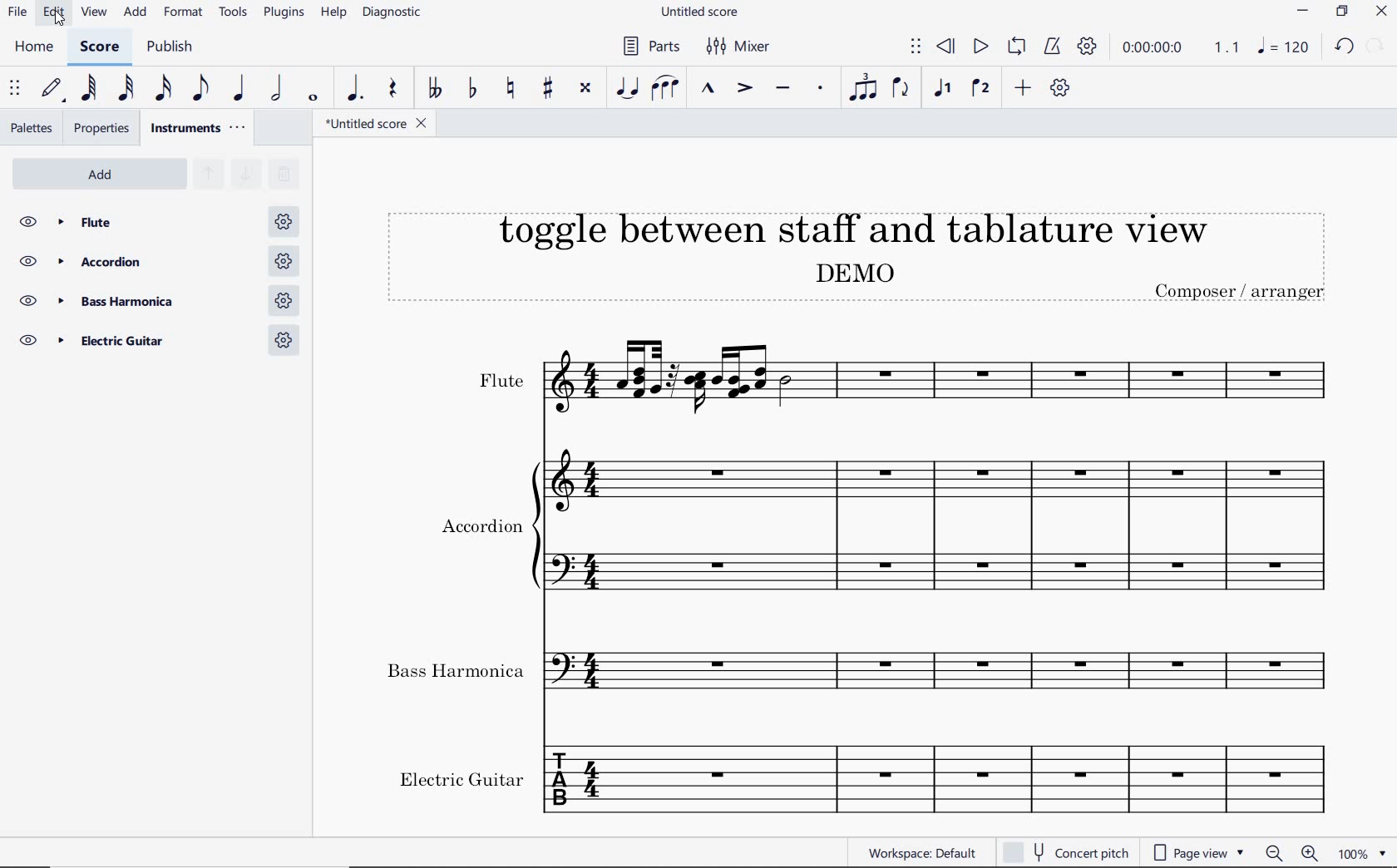 This screenshot has width=1397, height=868. I want to click on MOVE SELECTED STAVES DOWN, so click(246, 175).